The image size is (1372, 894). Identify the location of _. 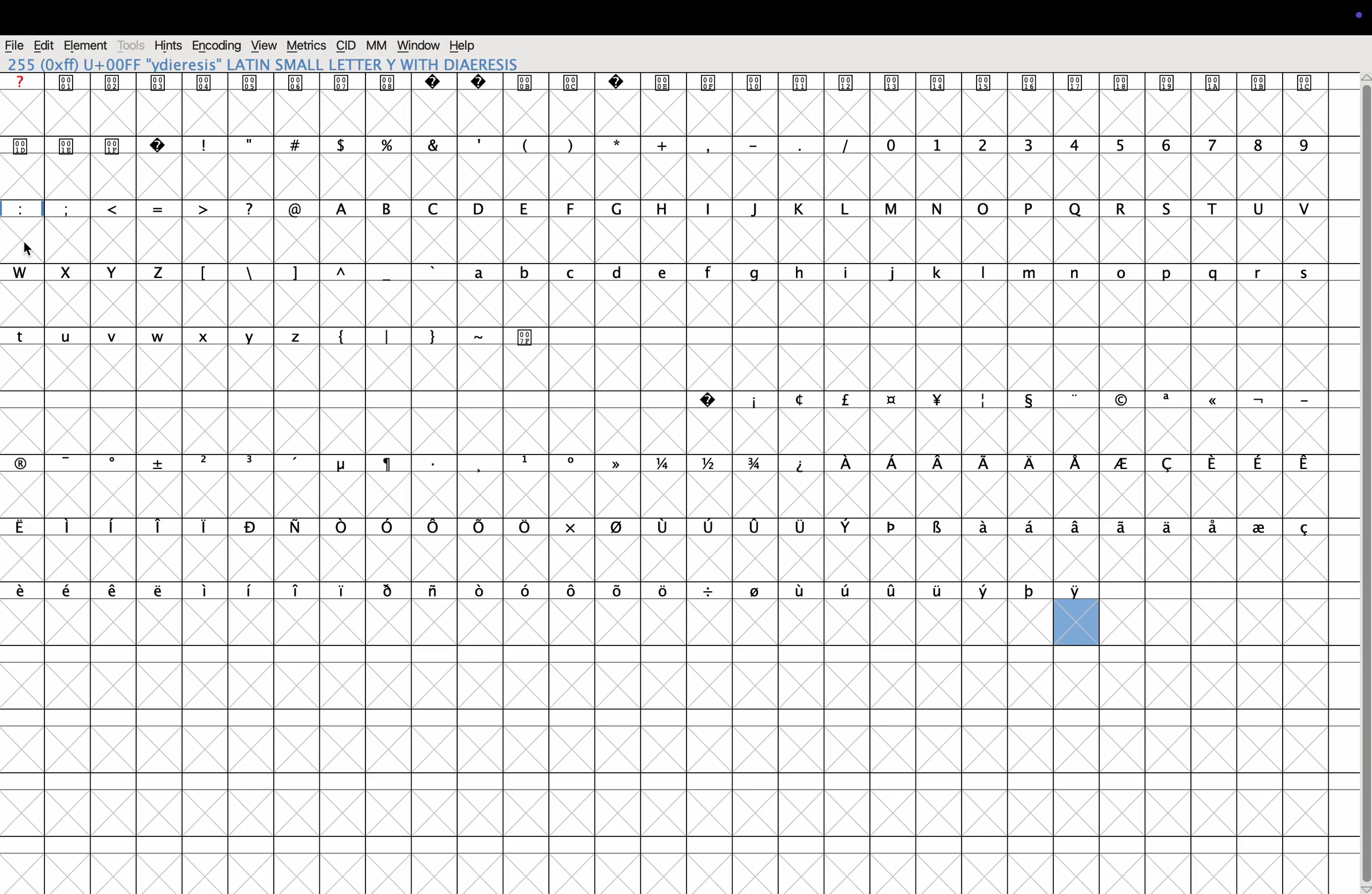
(391, 292).